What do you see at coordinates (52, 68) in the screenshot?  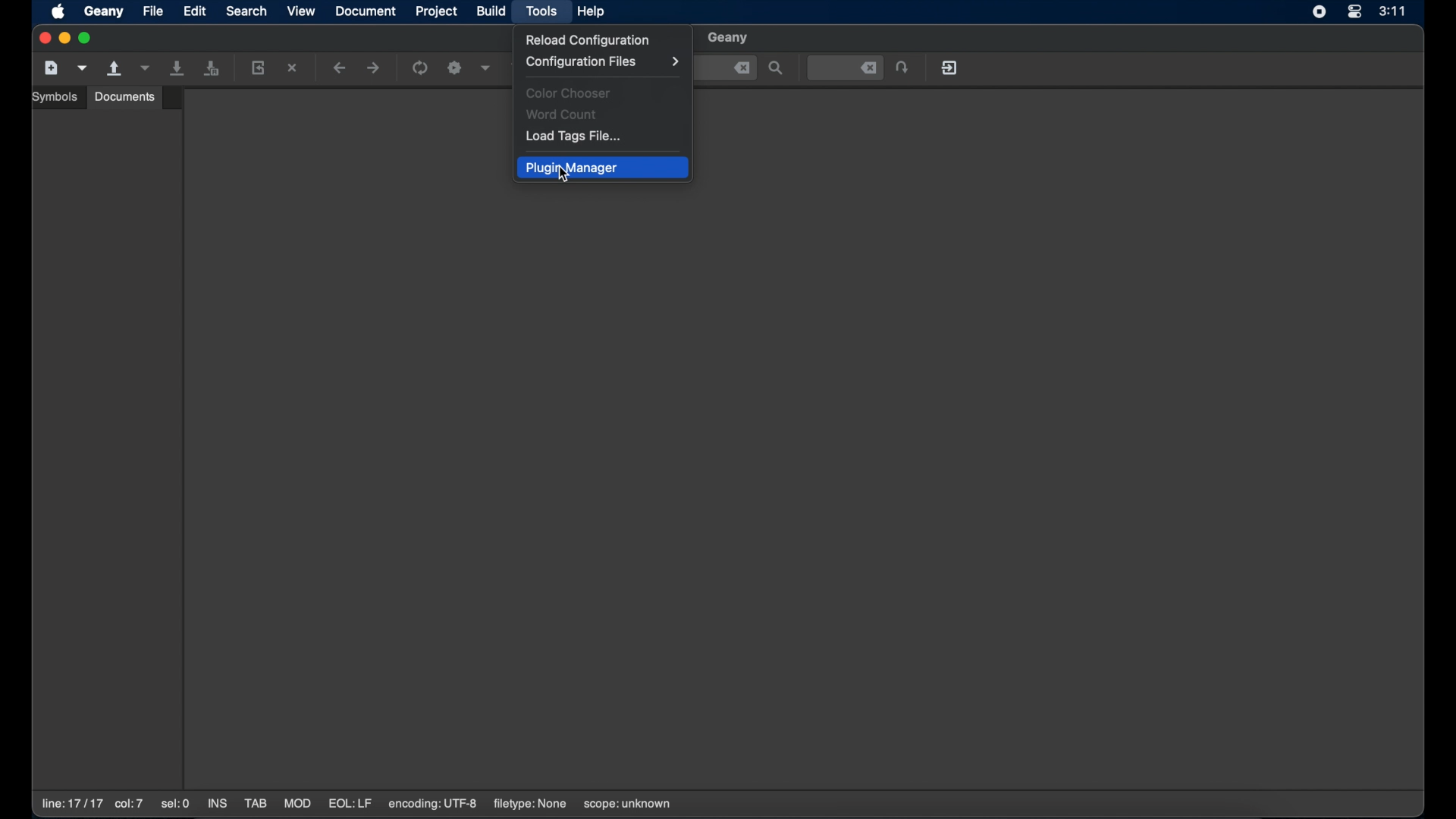 I see `create a new file` at bounding box center [52, 68].